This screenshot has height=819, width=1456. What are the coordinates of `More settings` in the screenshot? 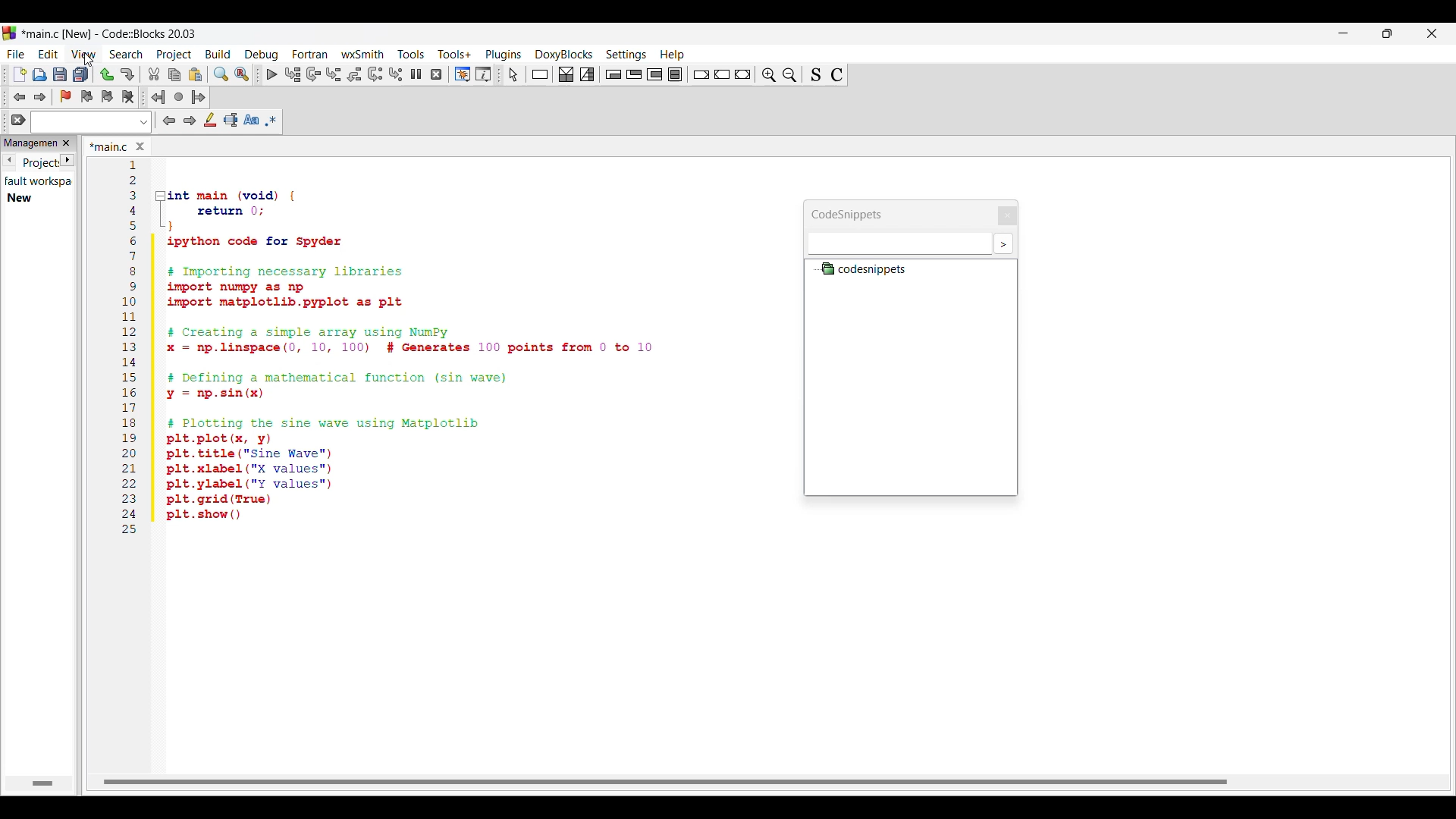 It's located at (1003, 243).